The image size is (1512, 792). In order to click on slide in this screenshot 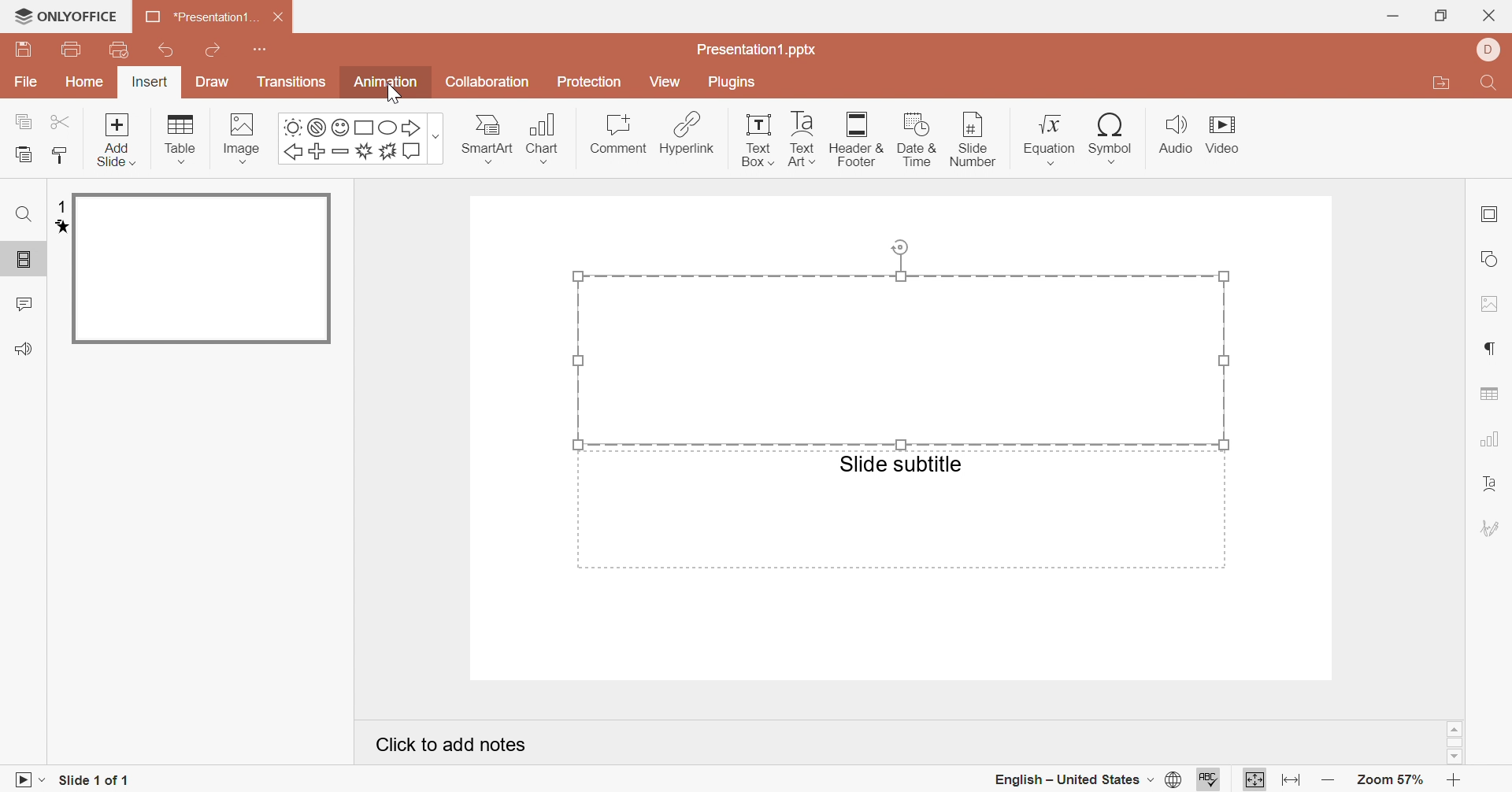, I will do `click(201, 269)`.